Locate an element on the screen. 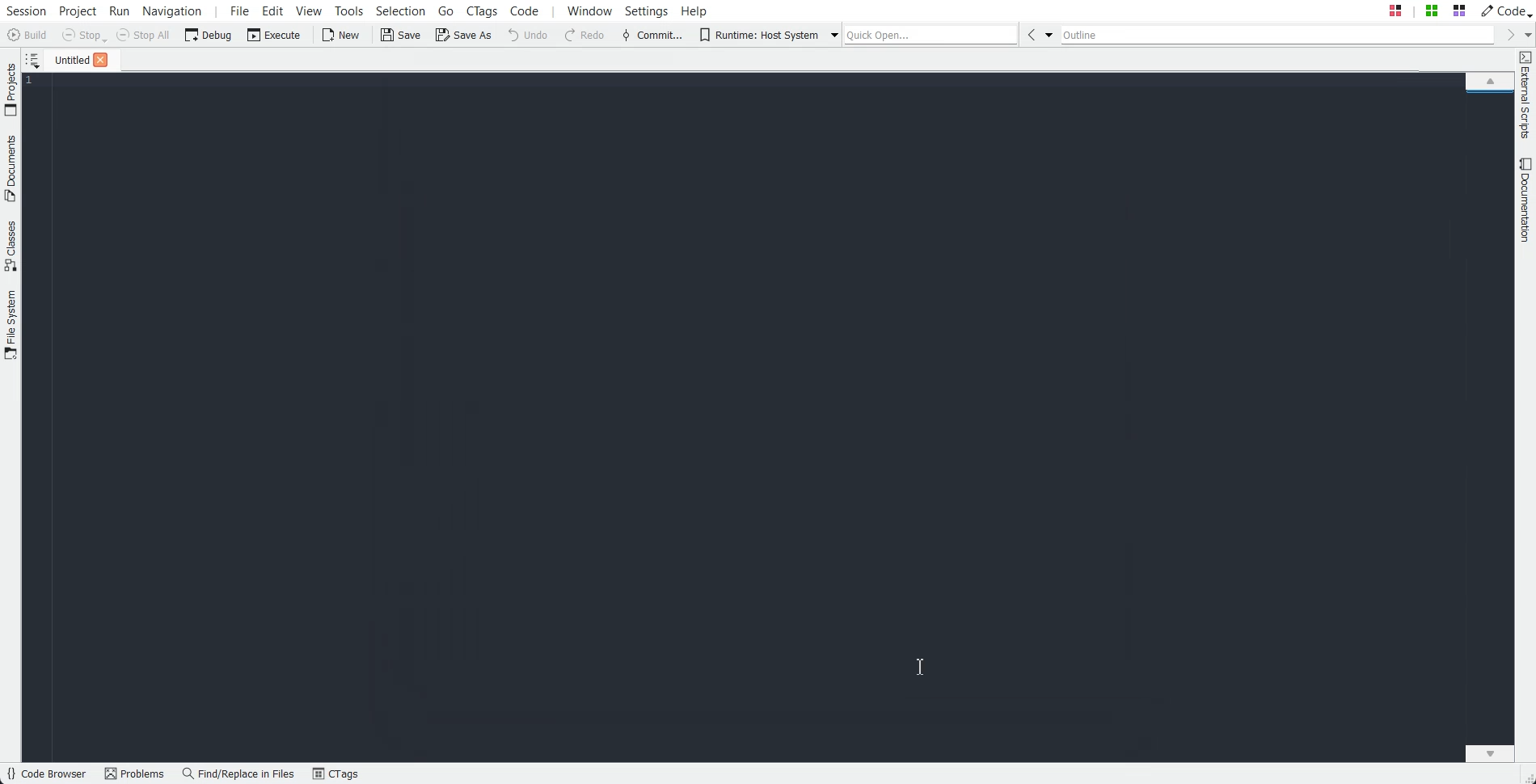 The width and height of the screenshot is (1536, 784). Scroll down is located at coordinates (1490, 752).